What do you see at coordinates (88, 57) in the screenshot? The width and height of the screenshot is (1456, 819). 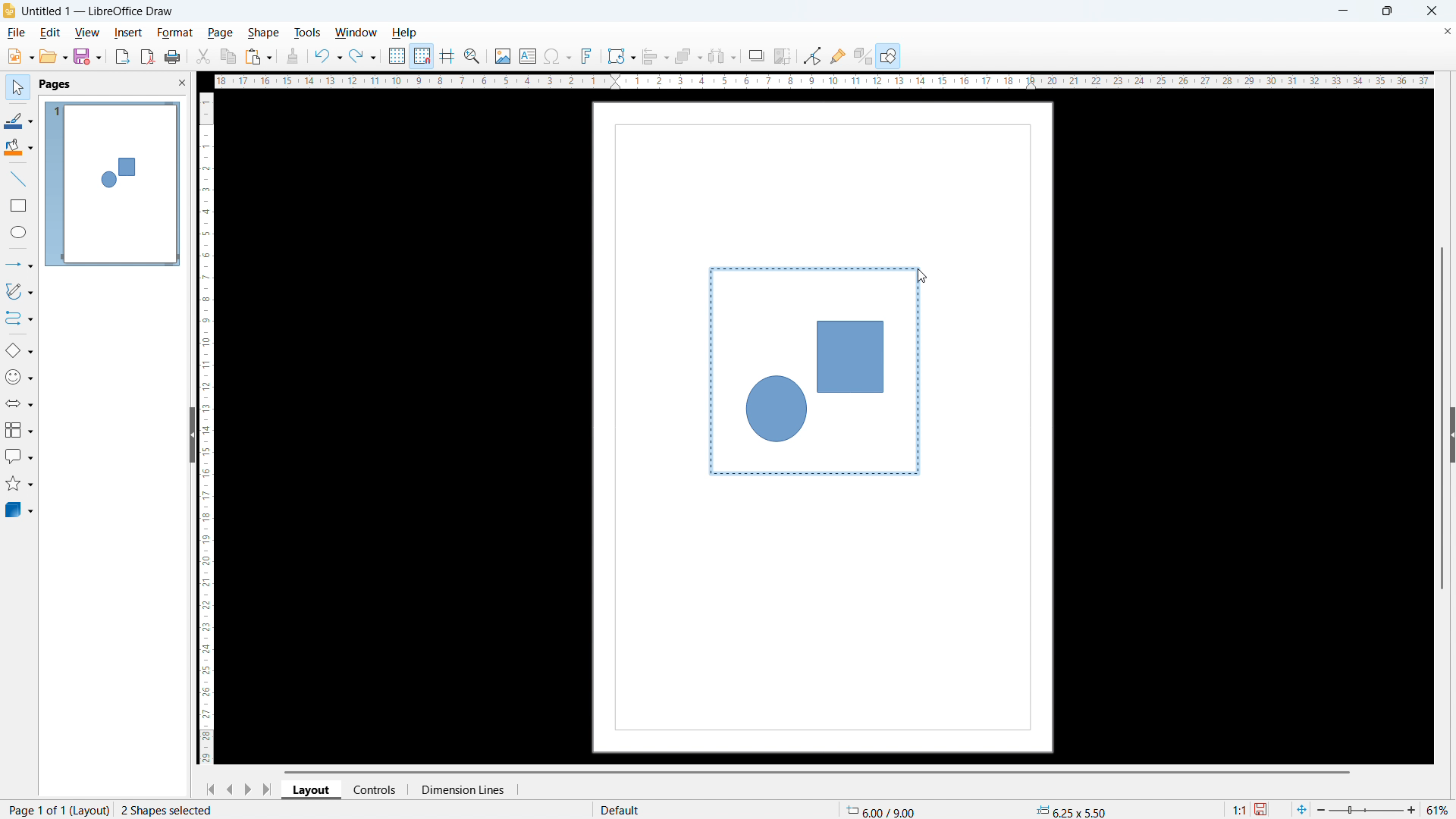 I see `save` at bounding box center [88, 57].